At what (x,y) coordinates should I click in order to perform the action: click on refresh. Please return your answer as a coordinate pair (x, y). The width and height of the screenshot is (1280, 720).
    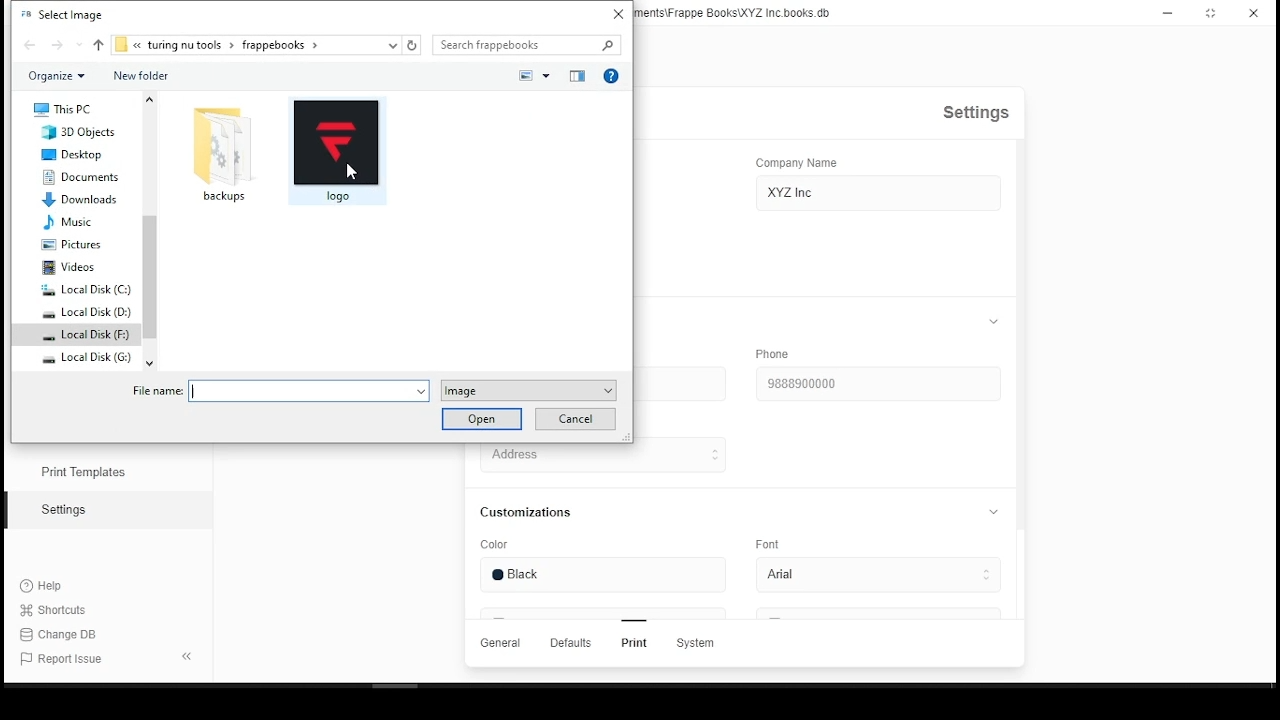
    Looking at the image, I should click on (411, 45).